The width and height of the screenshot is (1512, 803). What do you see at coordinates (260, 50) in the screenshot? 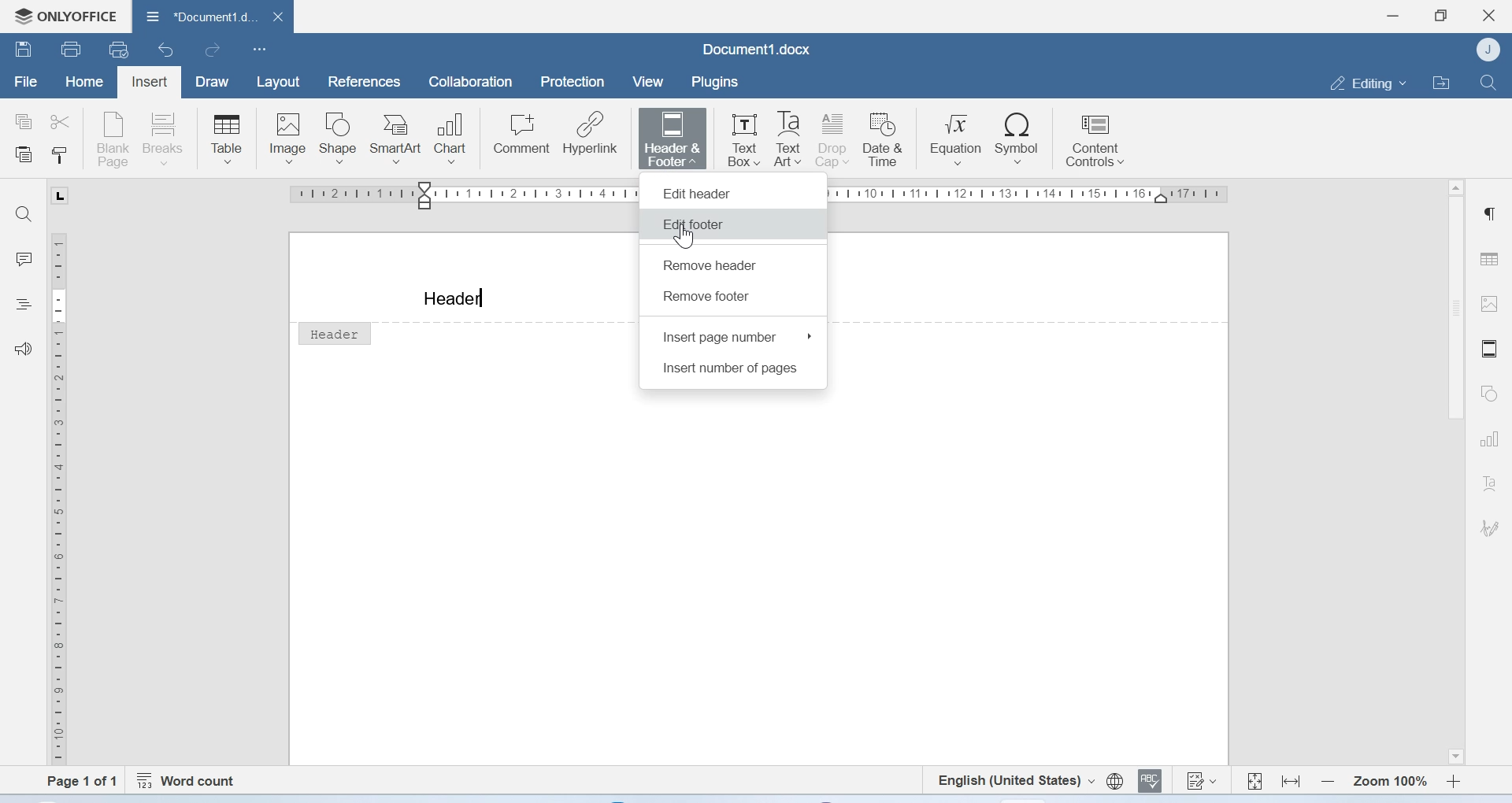
I see `Customize Quick Access Toolbar` at bounding box center [260, 50].